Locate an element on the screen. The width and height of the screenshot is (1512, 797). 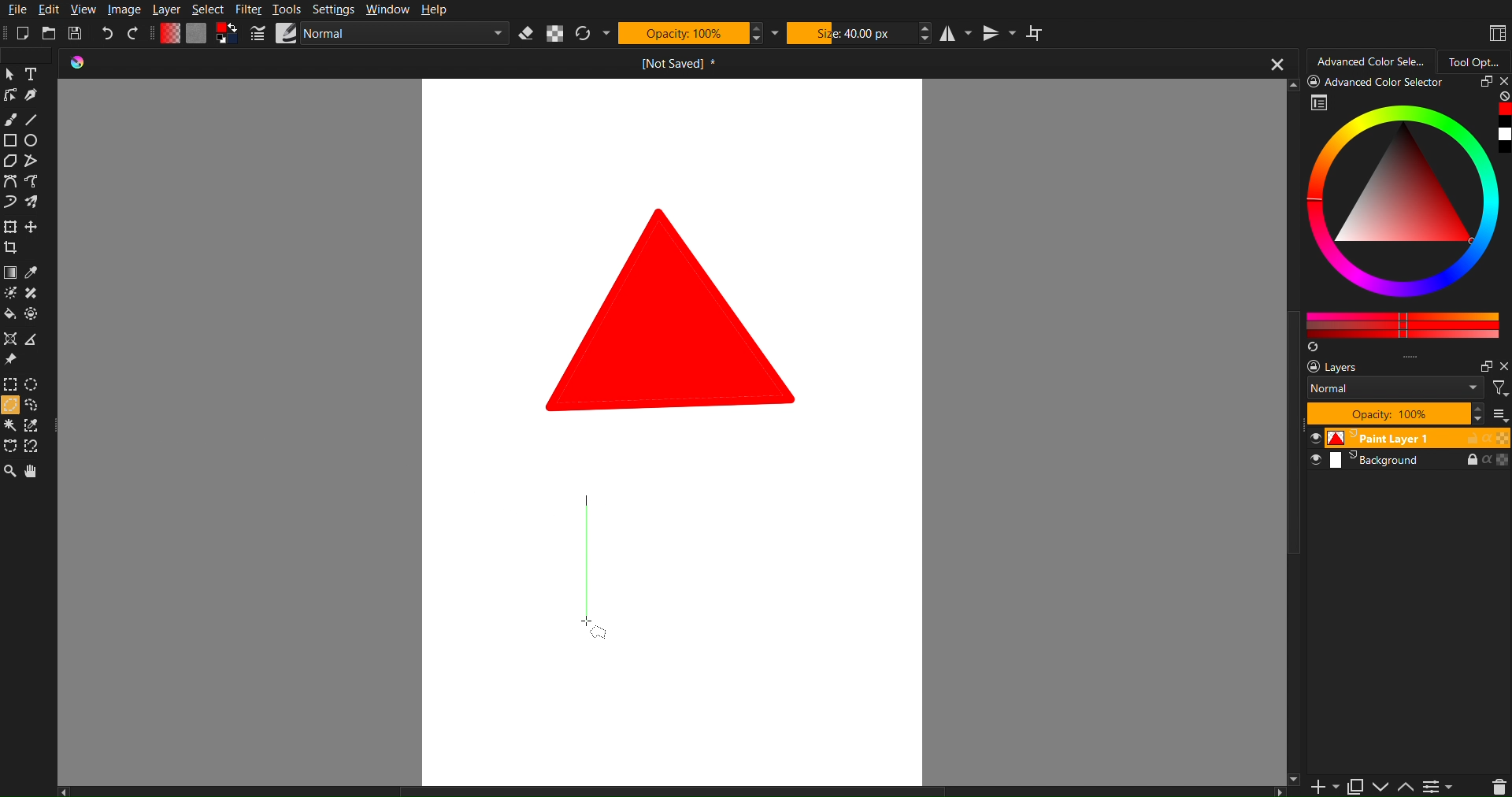
Current Document is located at coordinates (673, 63).